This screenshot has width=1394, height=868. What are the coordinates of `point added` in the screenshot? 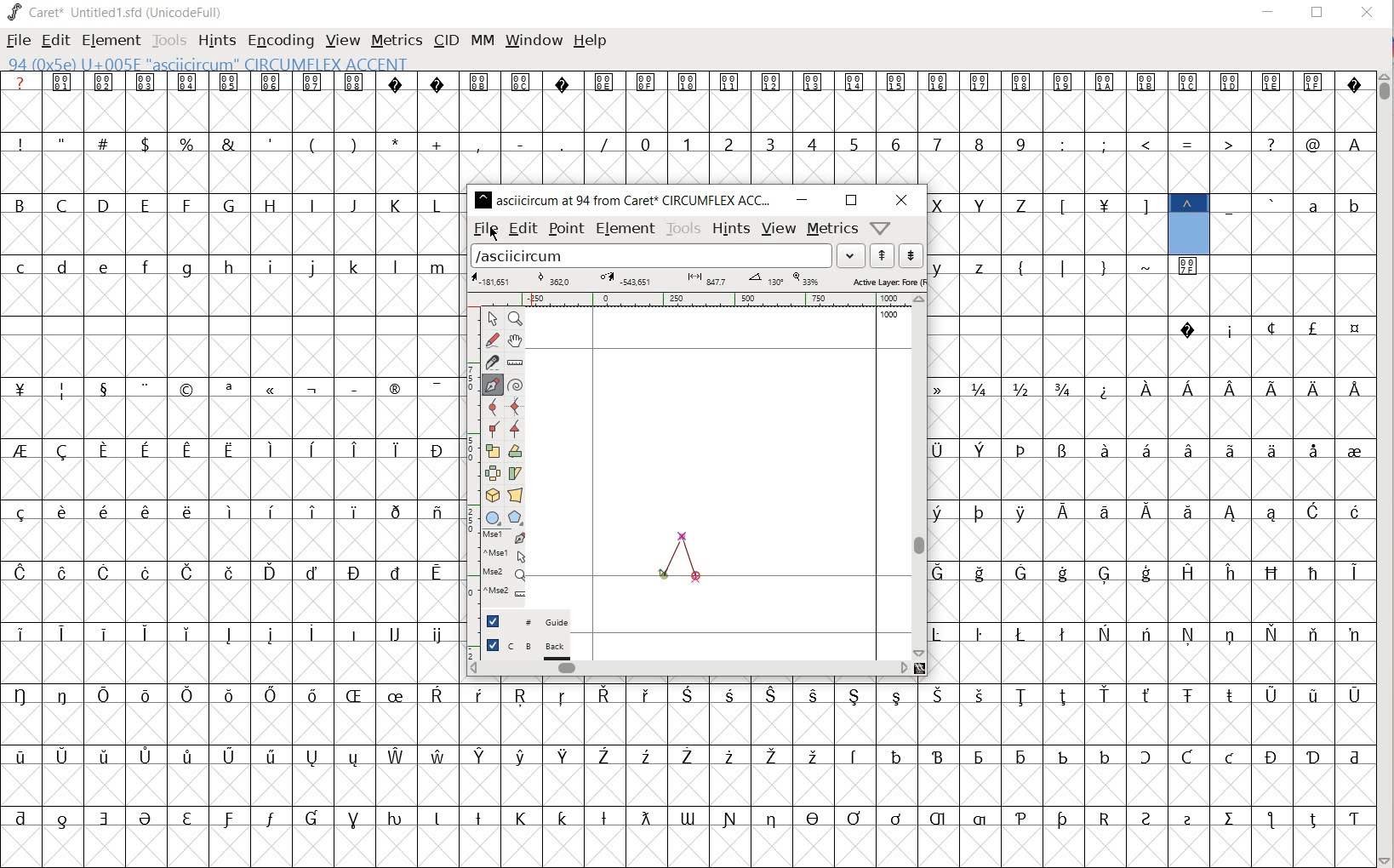 It's located at (665, 577).